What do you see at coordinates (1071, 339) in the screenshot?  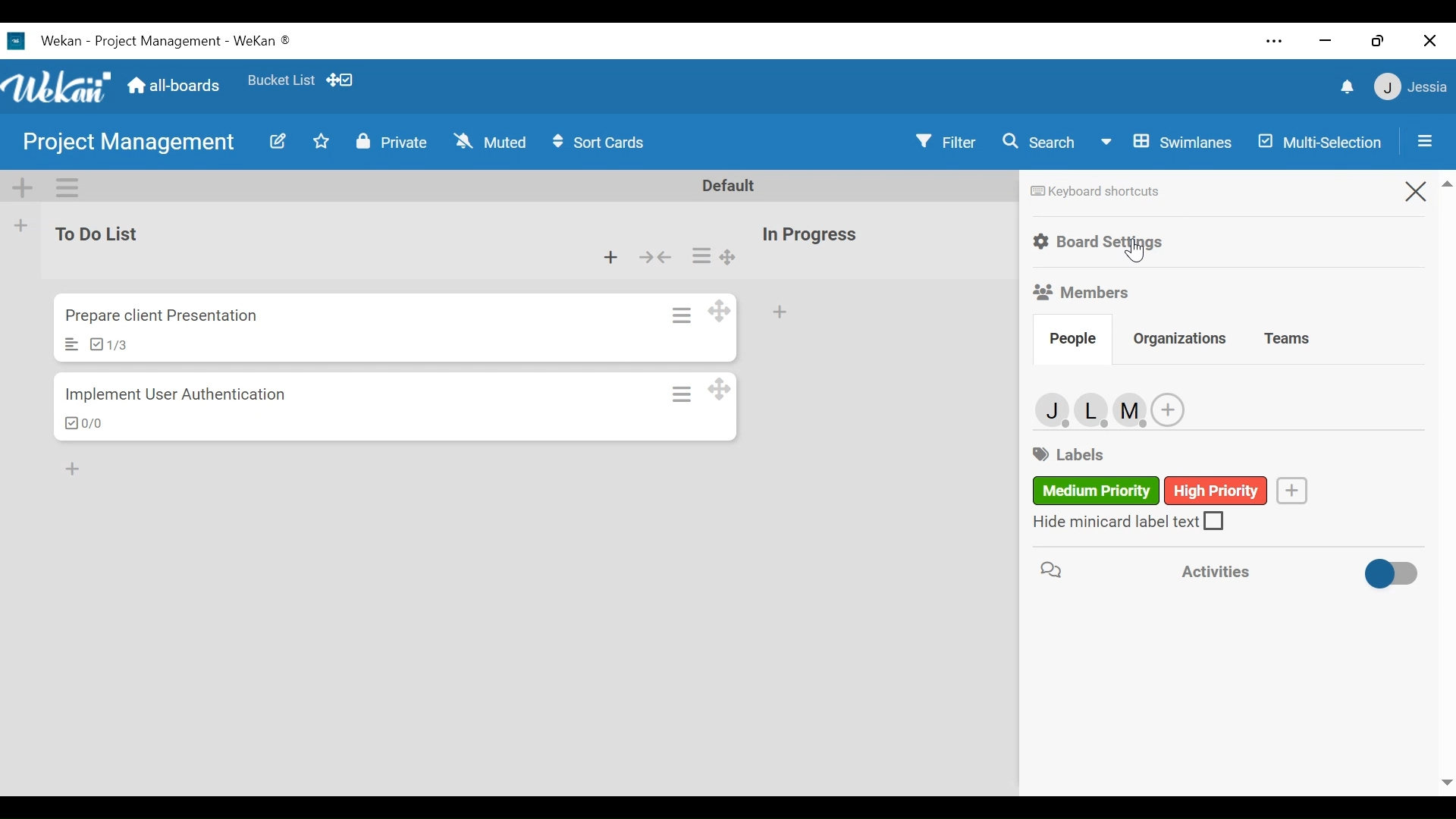 I see `People` at bounding box center [1071, 339].